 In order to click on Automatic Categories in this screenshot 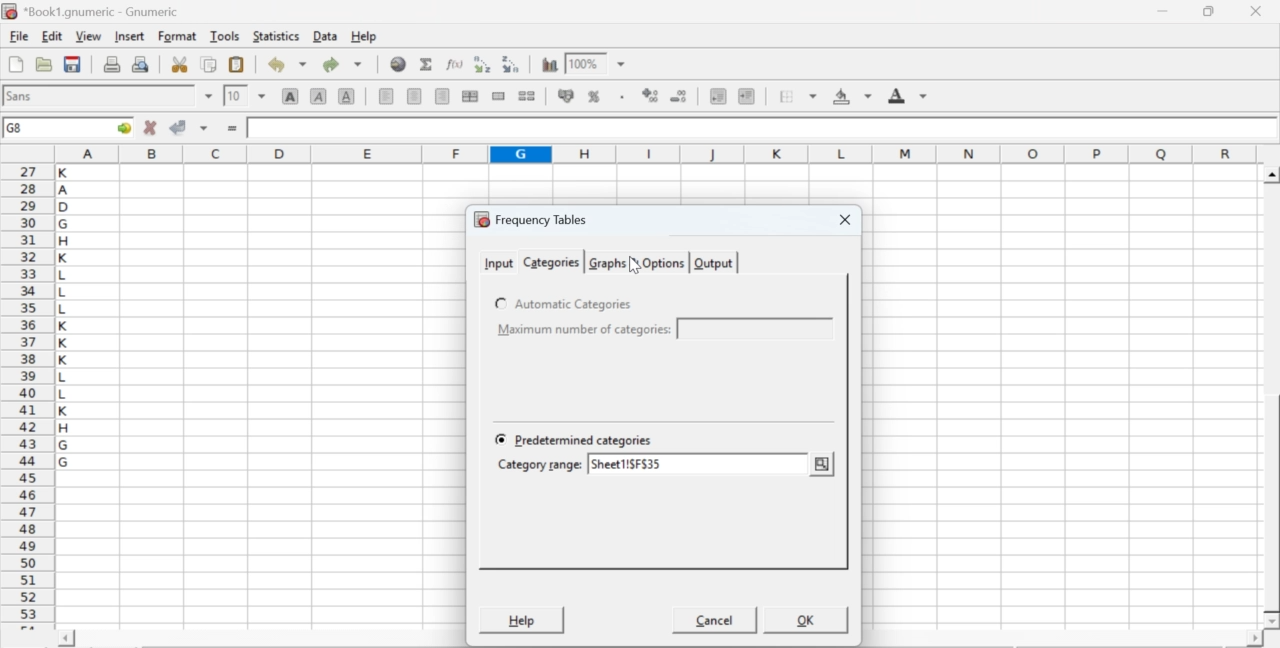, I will do `click(576, 300)`.